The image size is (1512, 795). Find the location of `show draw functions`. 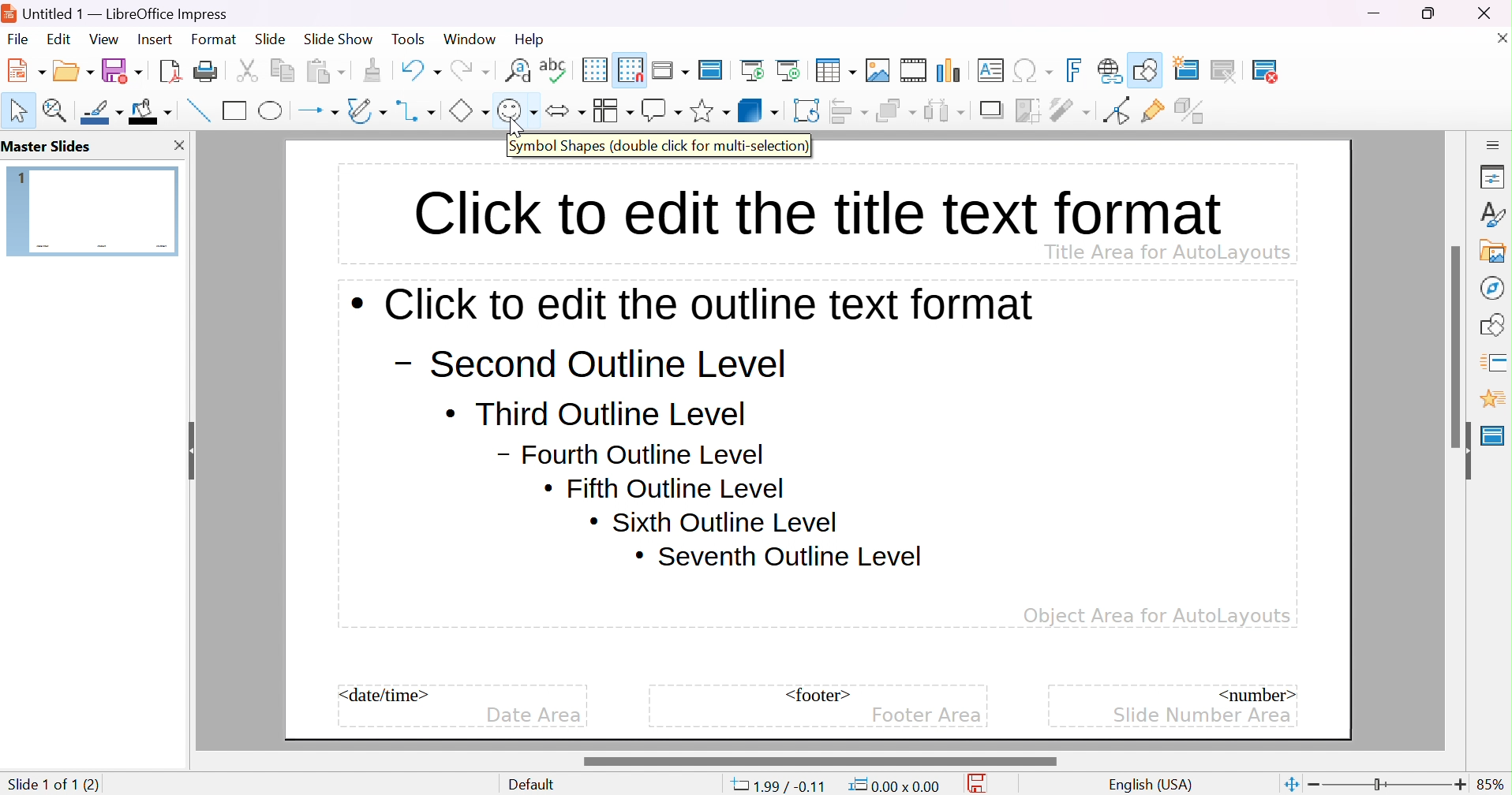

show draw functions is located at coordinates (1147, 68).